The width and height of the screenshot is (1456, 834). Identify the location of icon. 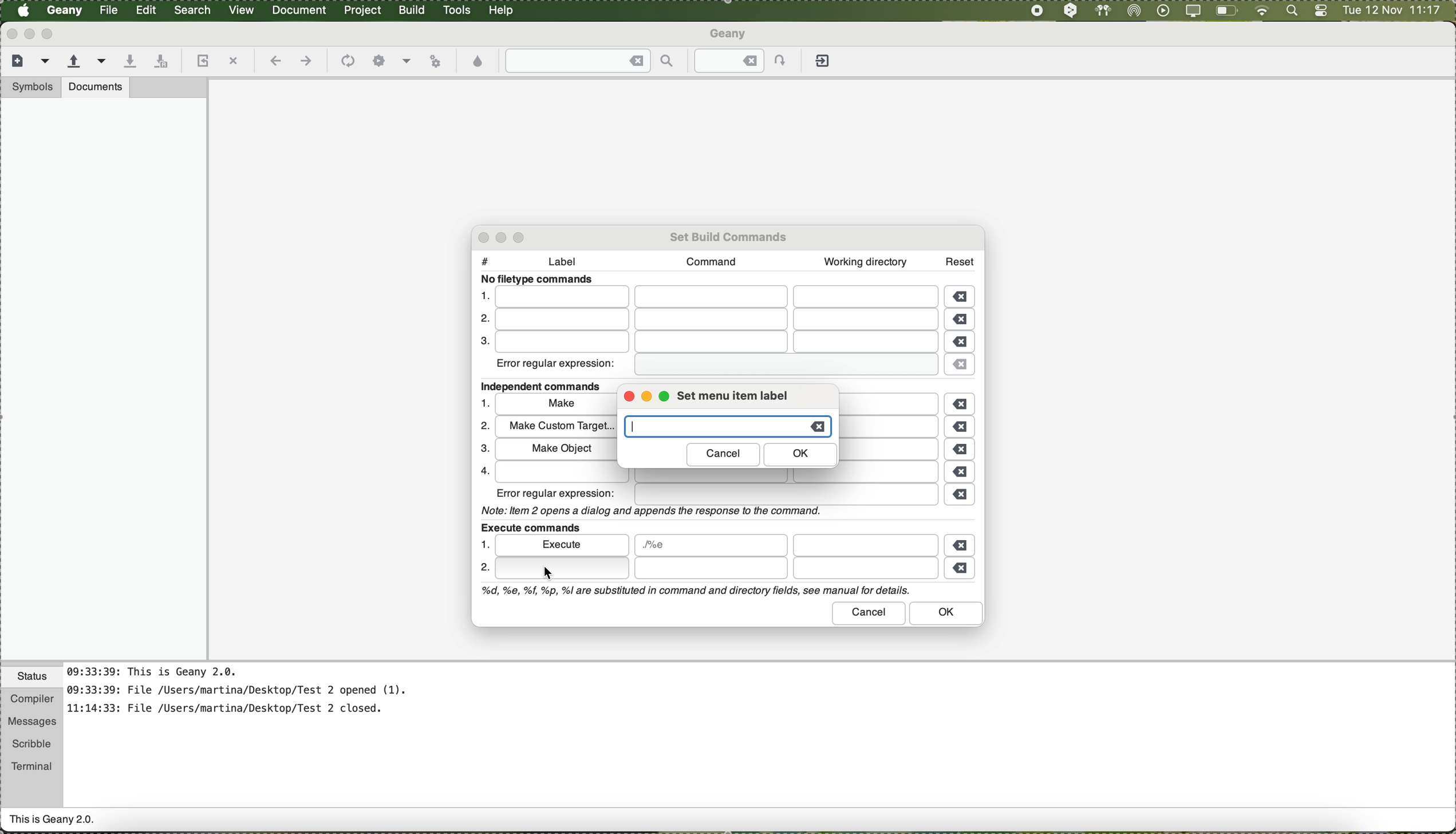
(407, 62).